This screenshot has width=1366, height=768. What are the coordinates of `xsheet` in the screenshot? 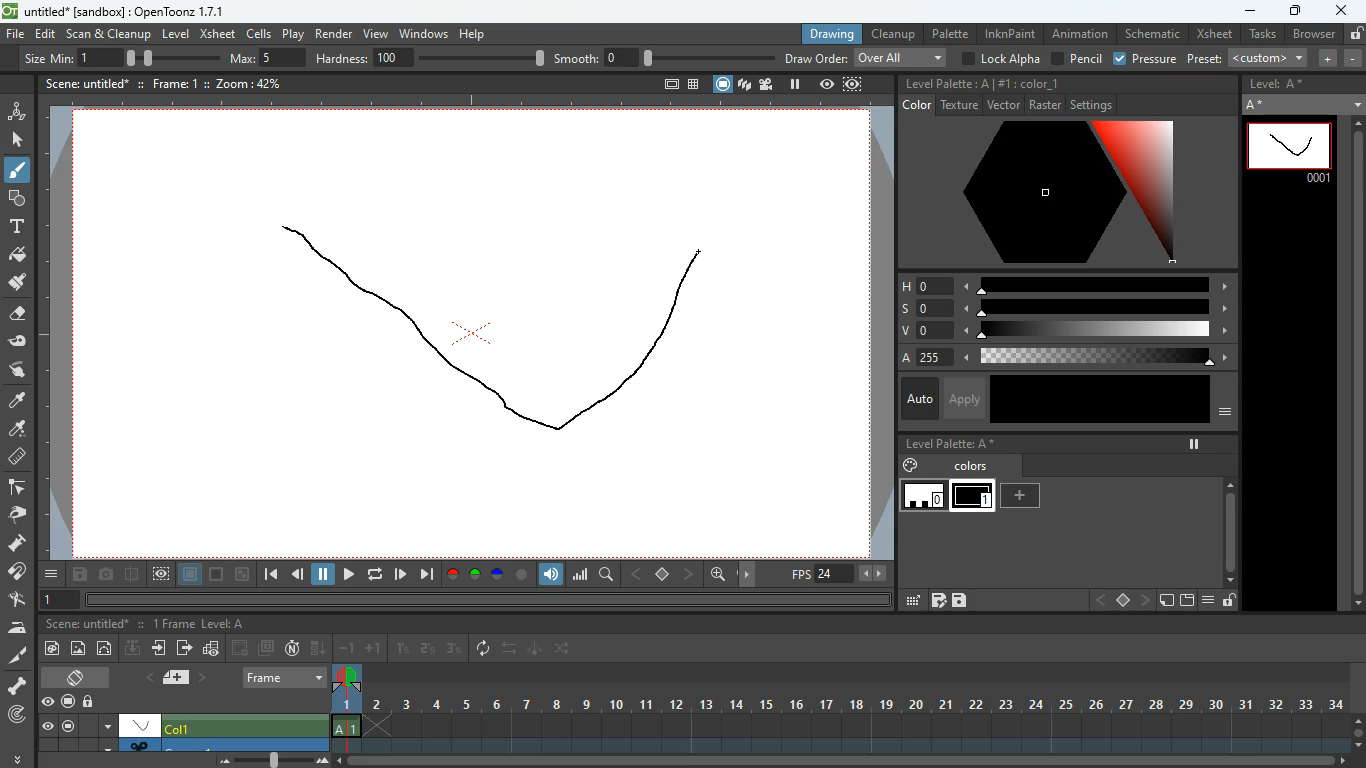 It's located at (217, 33).